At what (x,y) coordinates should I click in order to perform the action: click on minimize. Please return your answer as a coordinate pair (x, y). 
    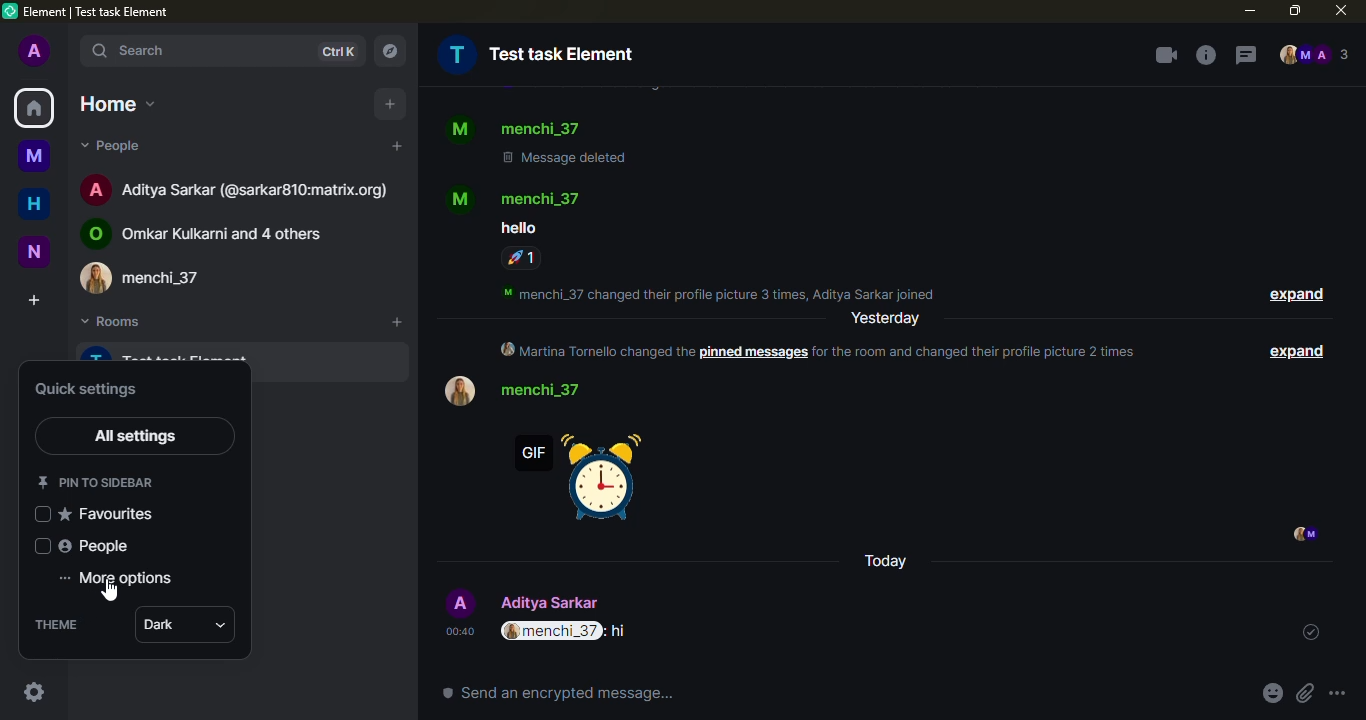
    Looking at the image, I should click on (1249, 11).